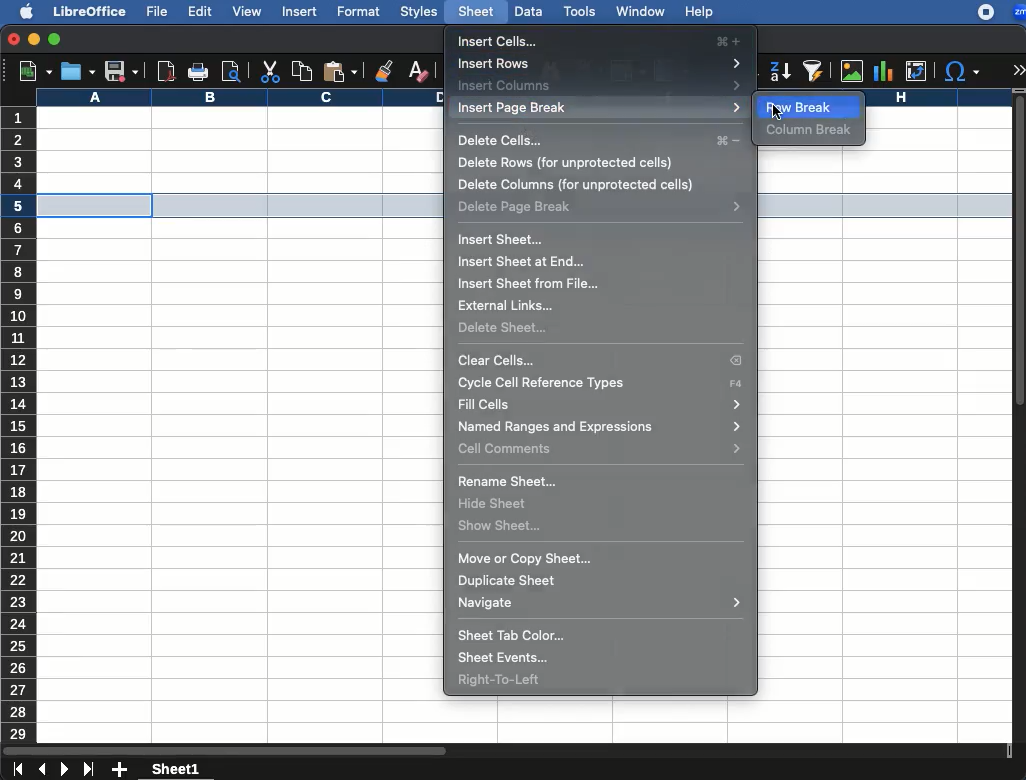 The width and height of the screenshot is (1026, 780). I want to click on print, so click(199, 73).